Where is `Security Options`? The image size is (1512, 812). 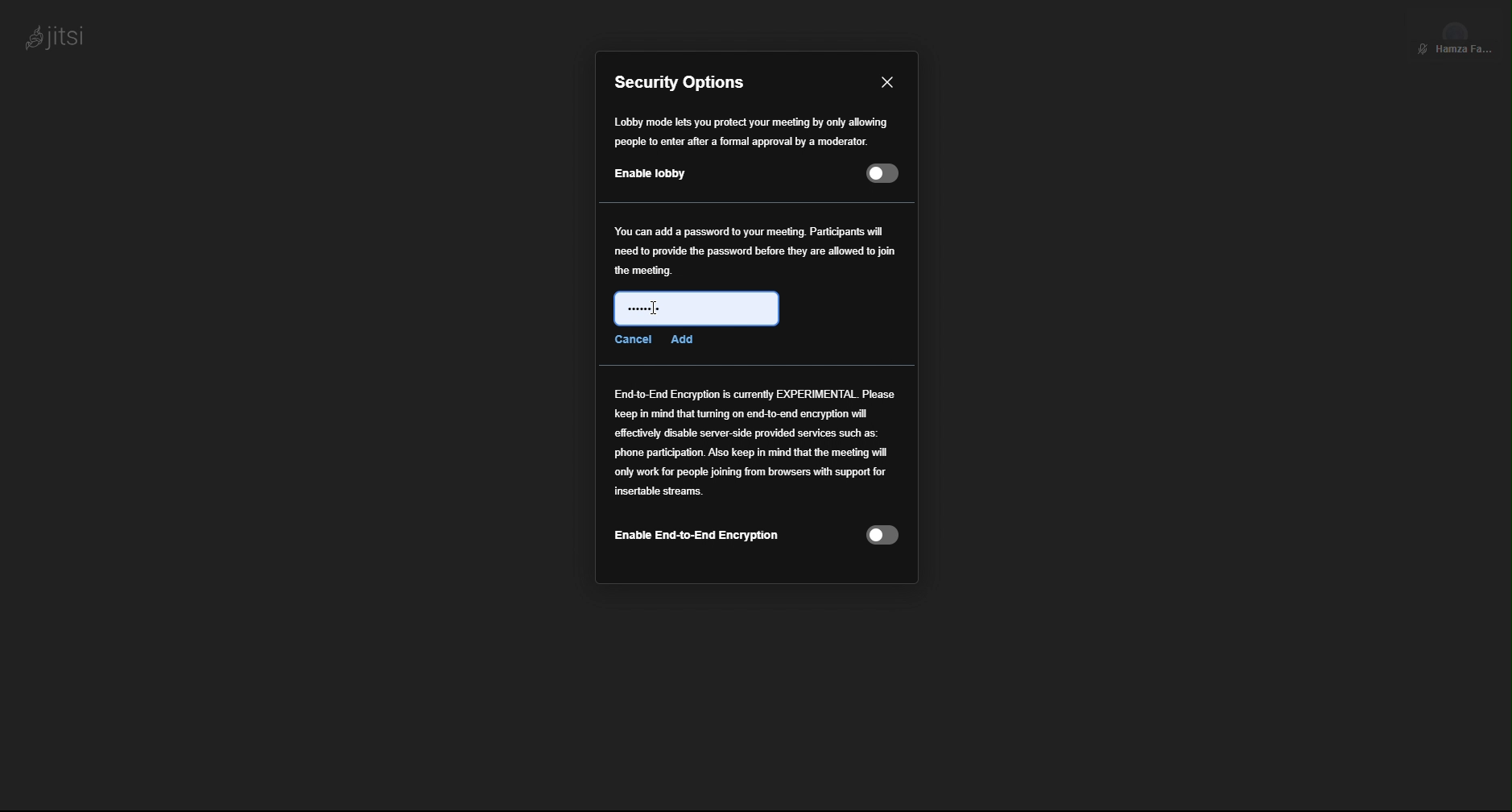 Security Options is located at coordinates (684, 82).